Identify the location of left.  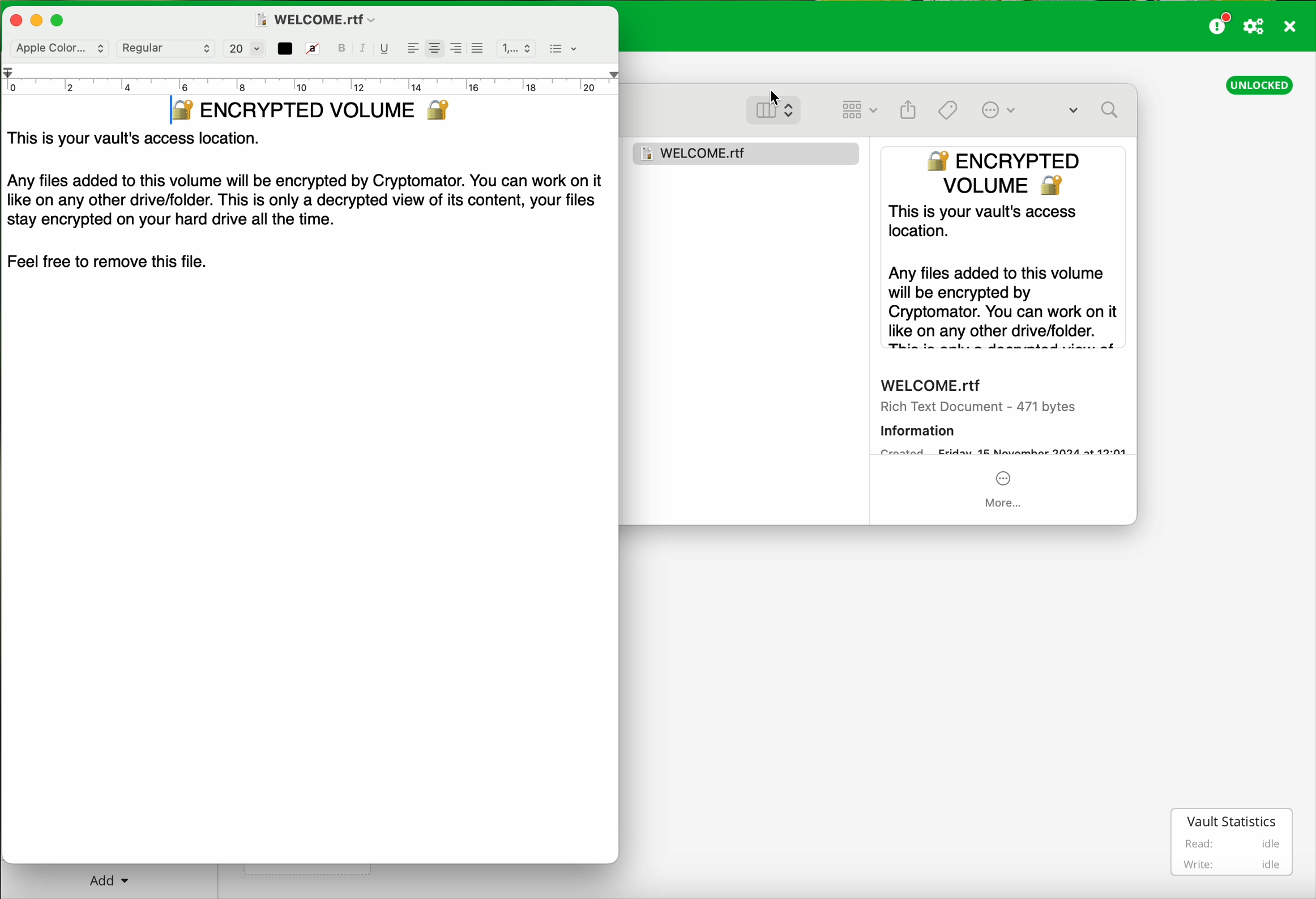
(413, 46).